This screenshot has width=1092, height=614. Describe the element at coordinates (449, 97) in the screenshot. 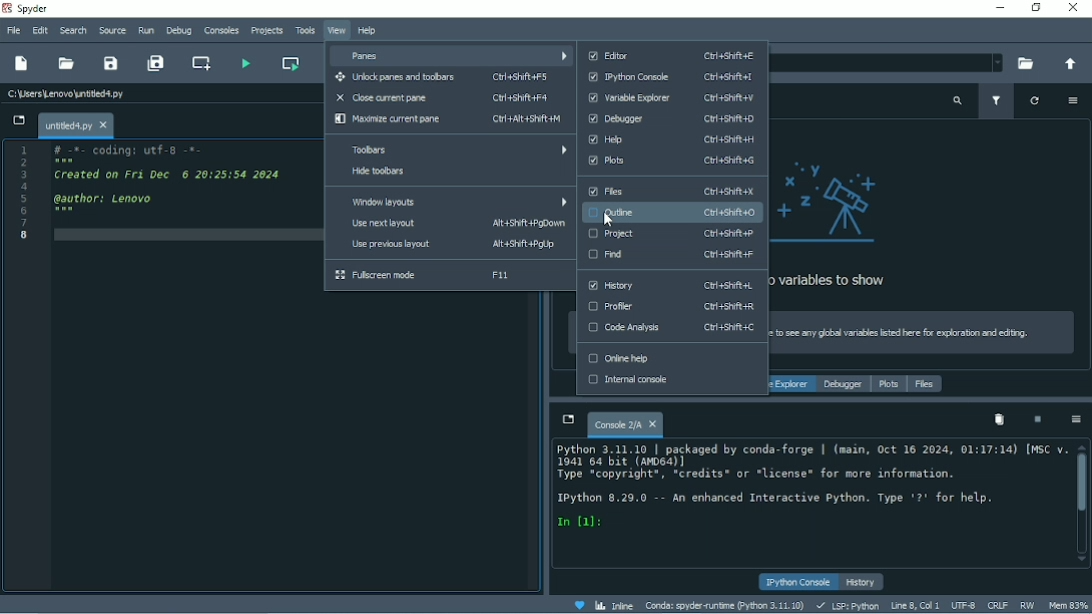

I see `Close current pane` at that location.